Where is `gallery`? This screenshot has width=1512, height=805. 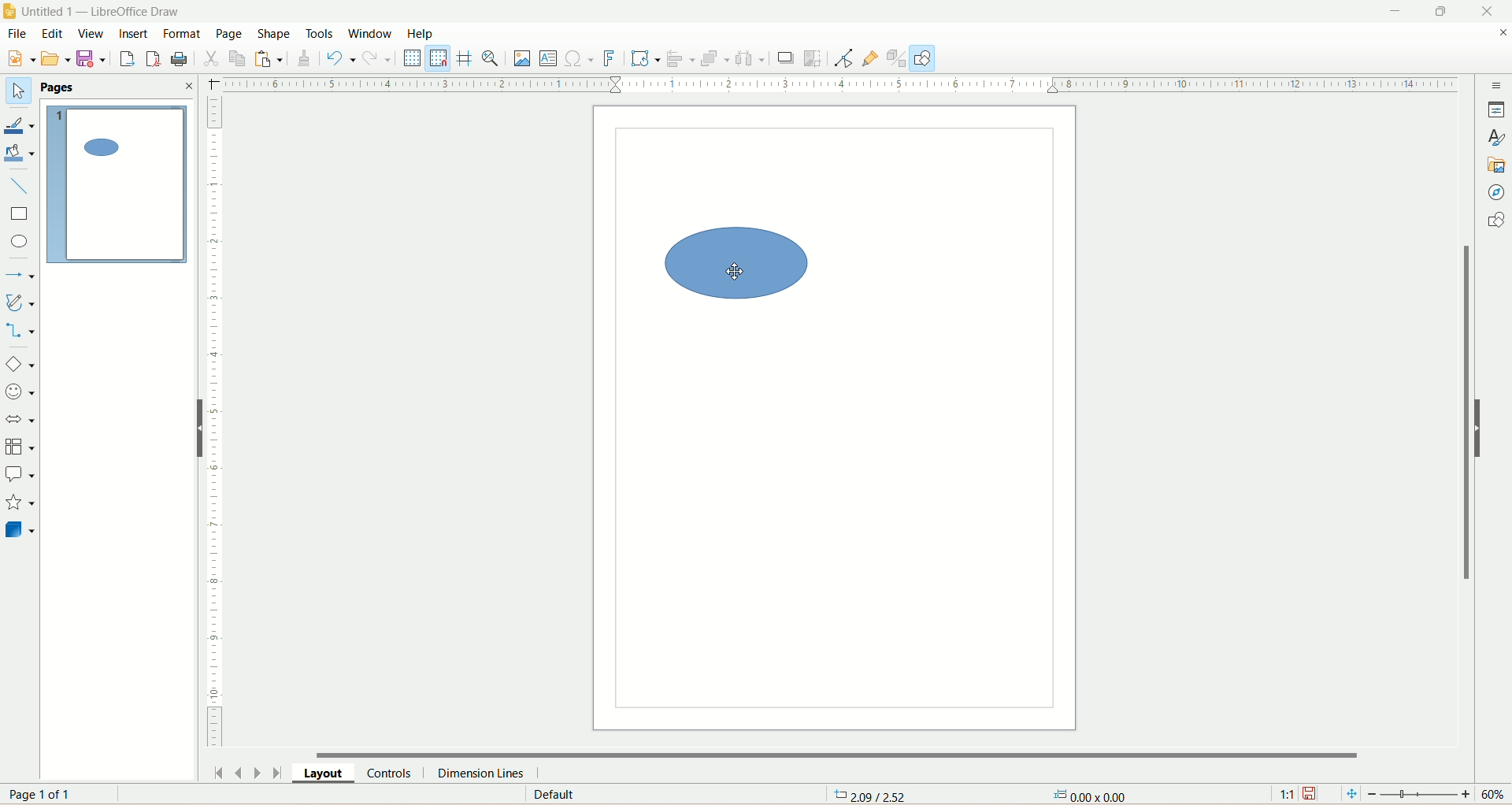 gallery is located at coordinates (1498, 167).